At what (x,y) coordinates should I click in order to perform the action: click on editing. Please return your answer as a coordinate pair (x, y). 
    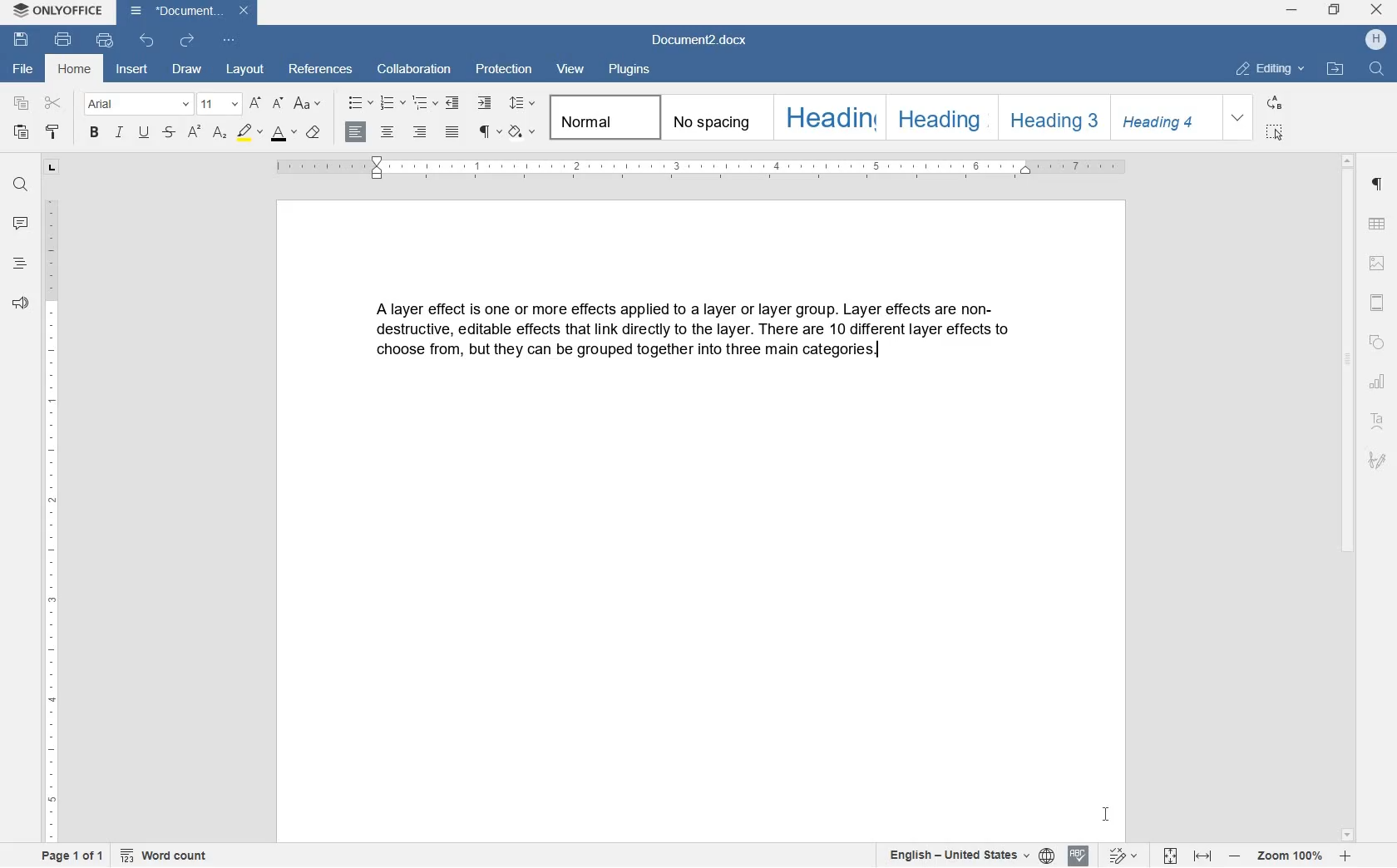
    Looking at the image, I should click on (1271, 68).